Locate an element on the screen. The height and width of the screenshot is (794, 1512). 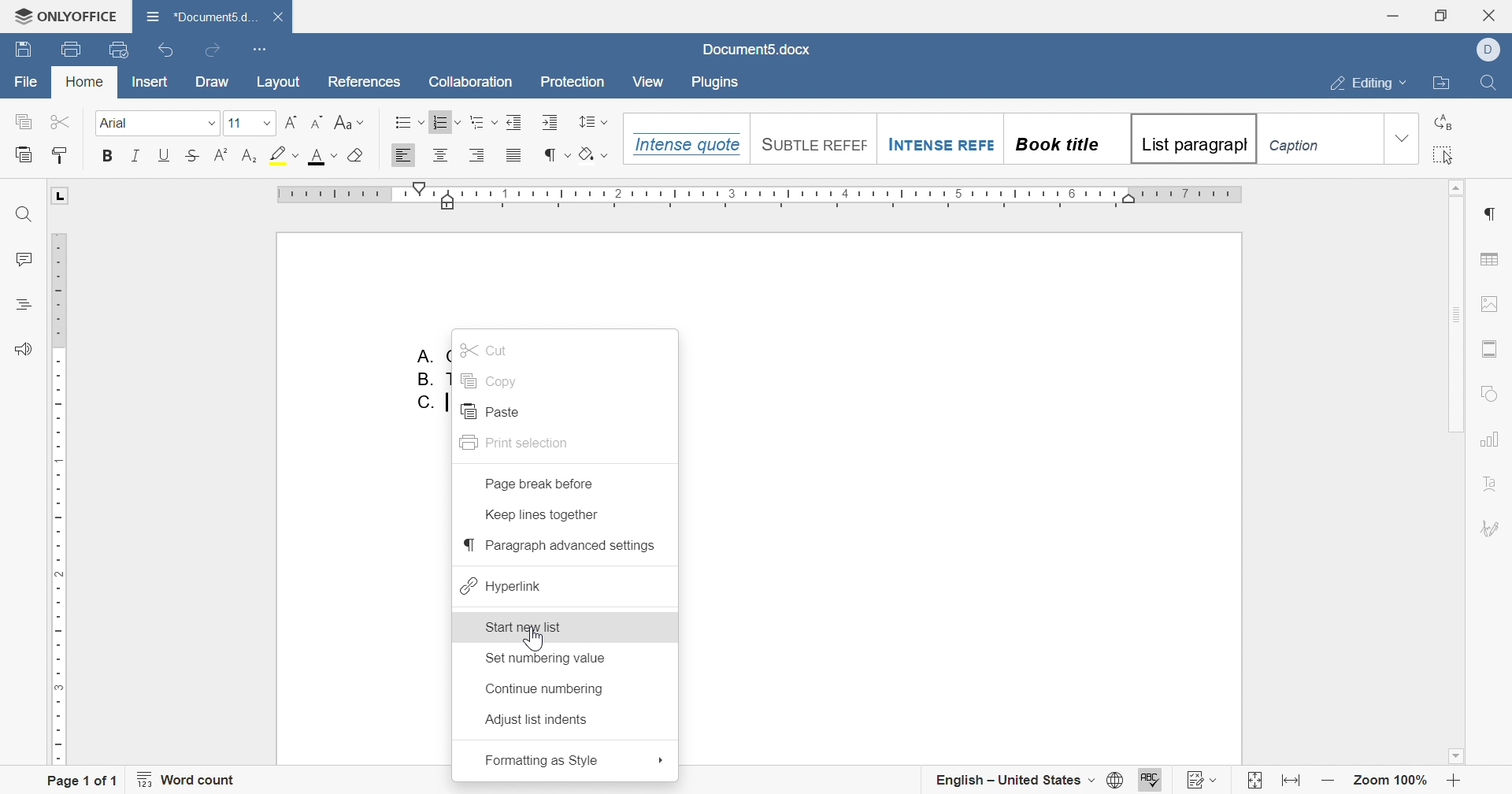
customize quick access toolbar is located at coordinates (263, 50).